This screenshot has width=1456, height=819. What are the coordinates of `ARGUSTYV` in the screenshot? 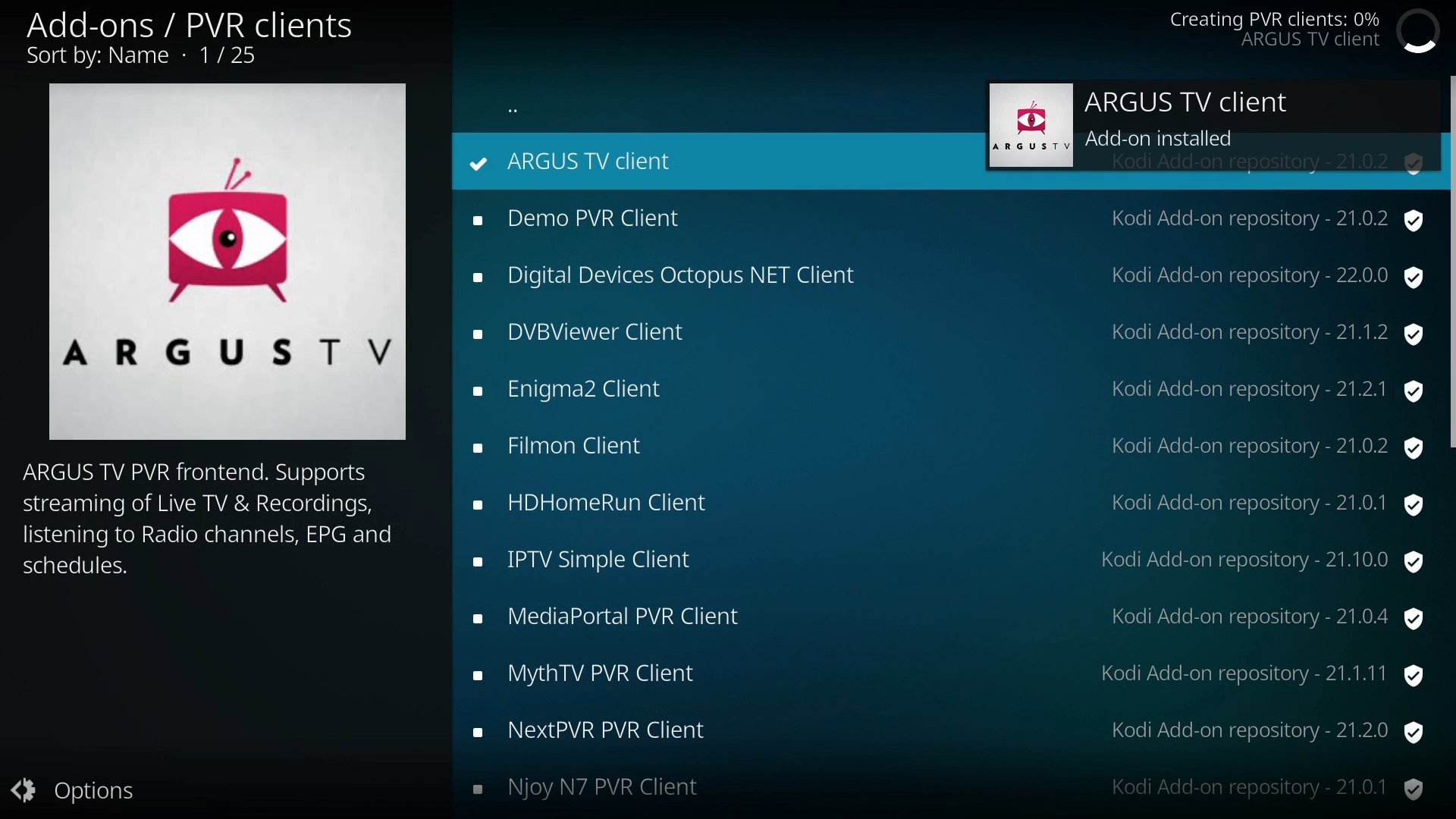 It's located at (222, 261).